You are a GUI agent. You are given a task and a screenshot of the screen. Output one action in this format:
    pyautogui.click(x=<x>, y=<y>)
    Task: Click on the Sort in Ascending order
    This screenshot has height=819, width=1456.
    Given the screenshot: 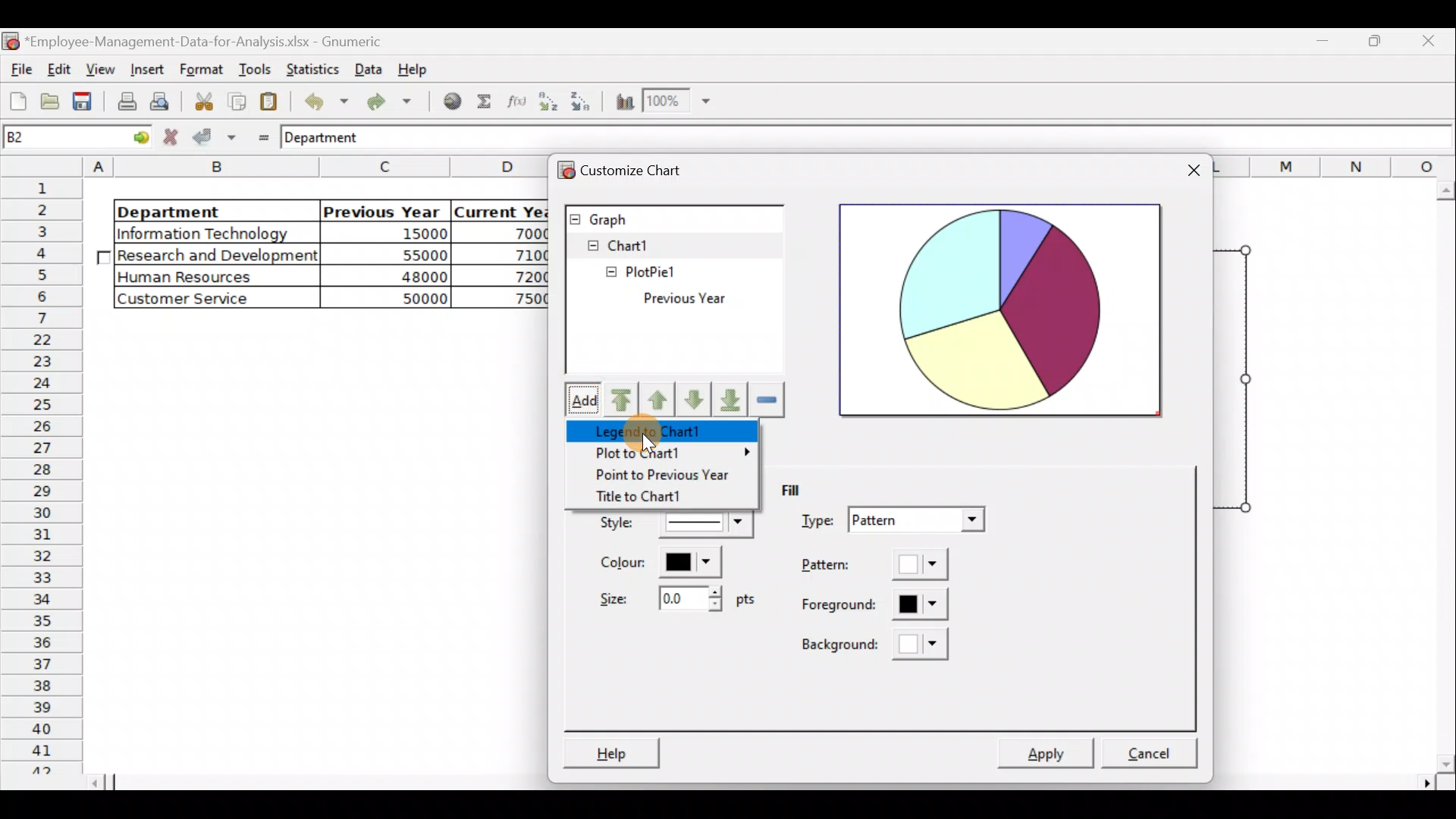 What is the action you would take?
    pyautogui.click(x=548, y=101)
    